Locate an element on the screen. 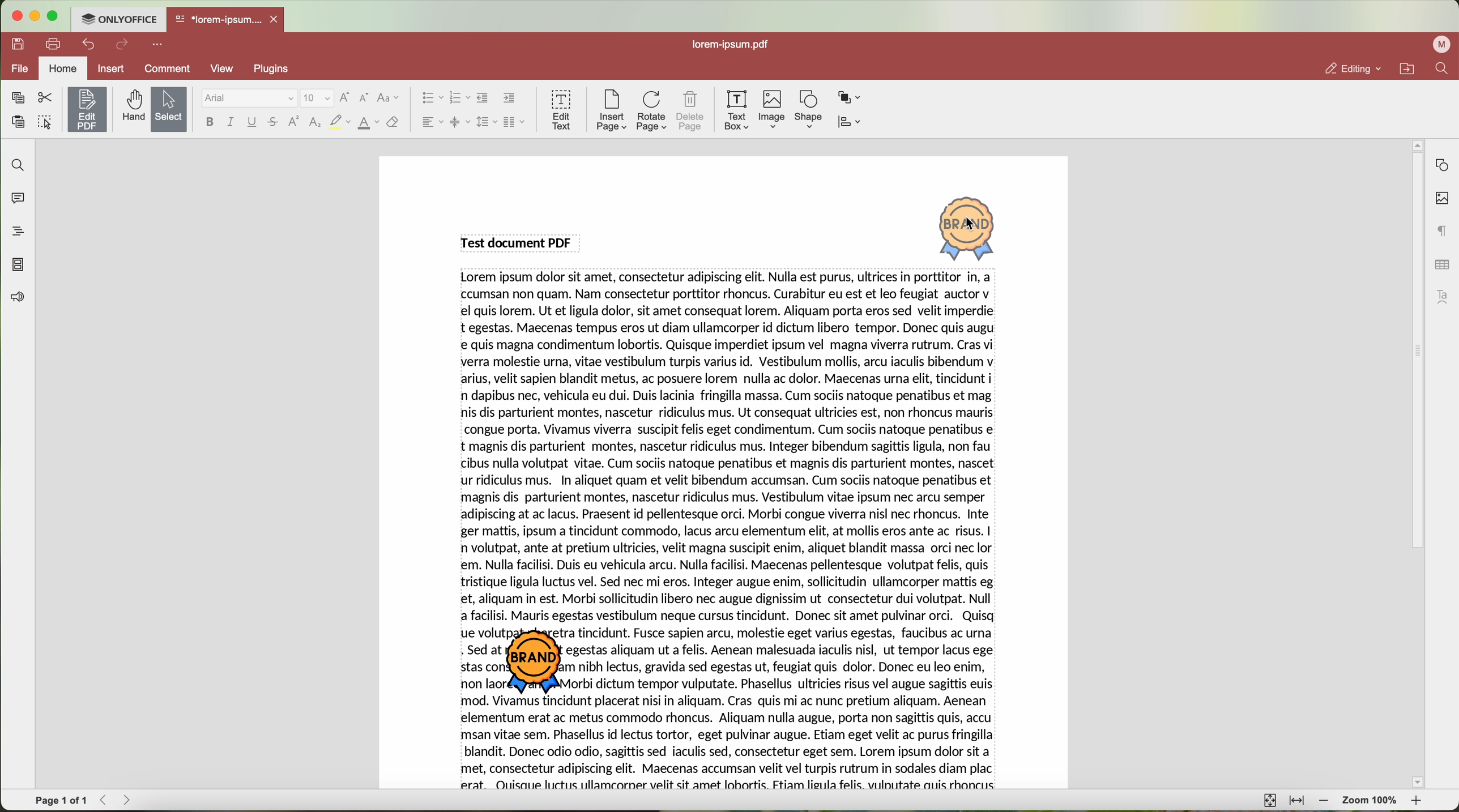  vertical align is located at coordinates (459, 122).